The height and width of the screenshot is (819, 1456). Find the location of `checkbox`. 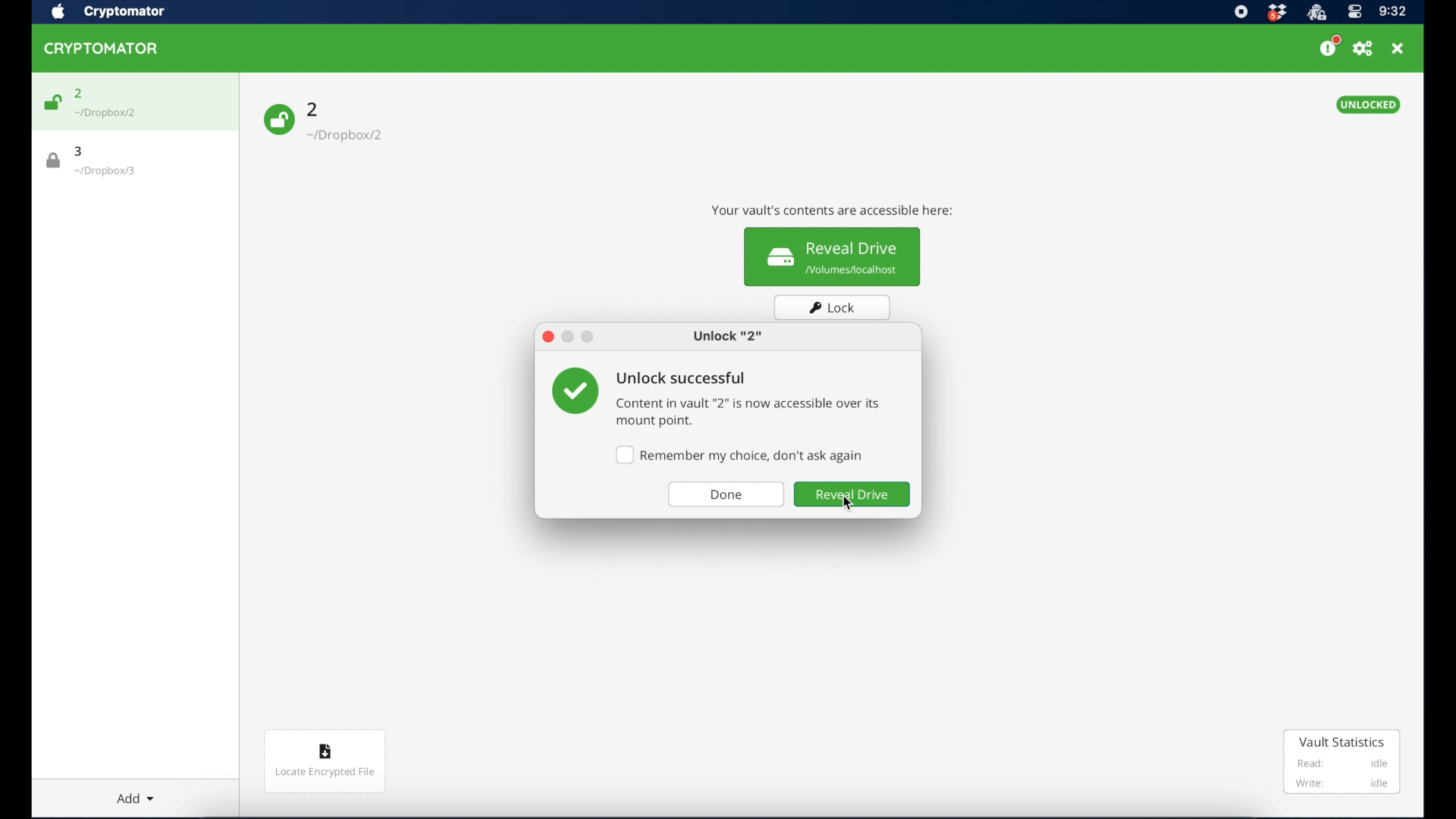

checkbox is located at coordinates (739, 456).